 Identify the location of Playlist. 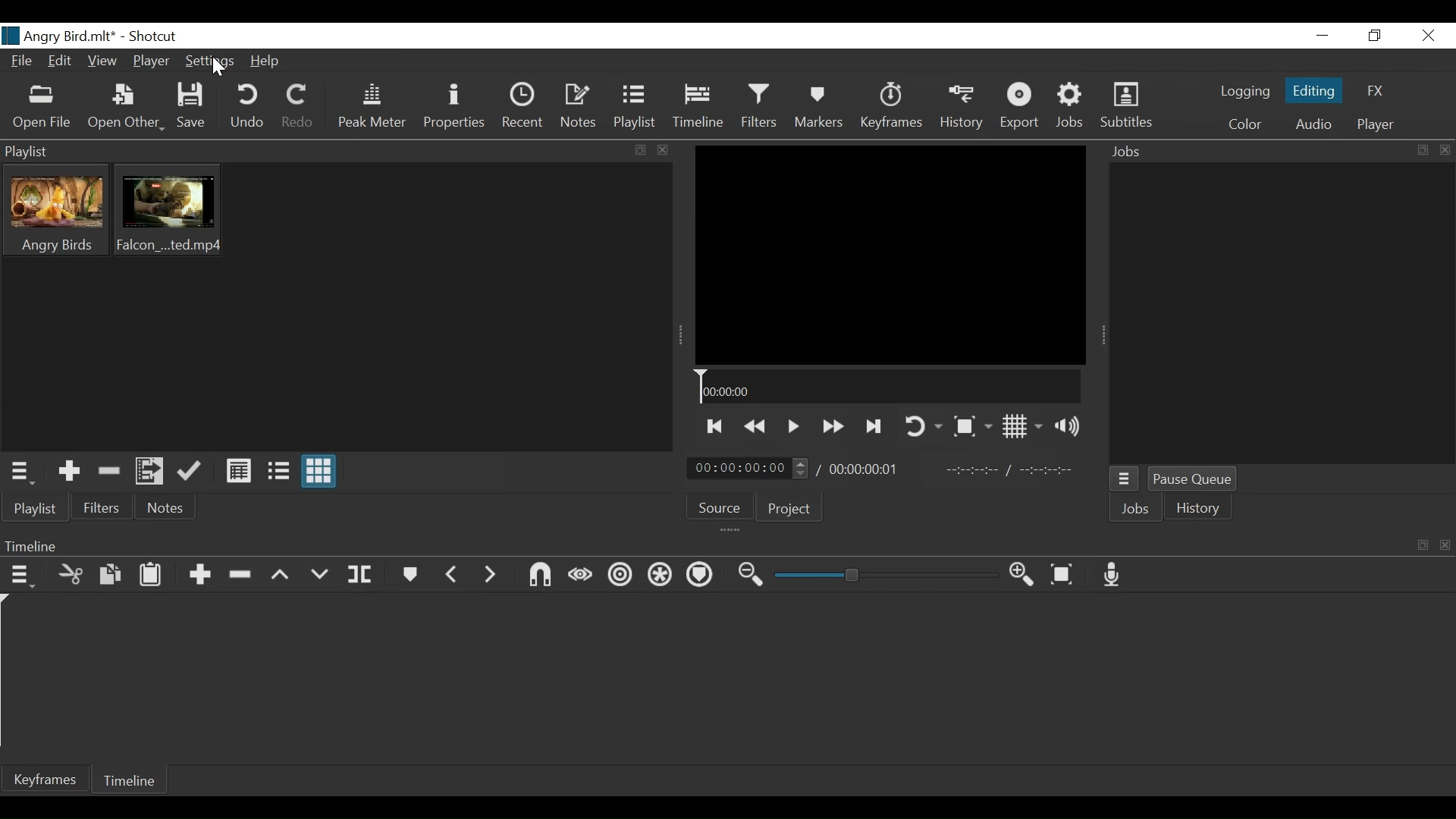
(635, 106).